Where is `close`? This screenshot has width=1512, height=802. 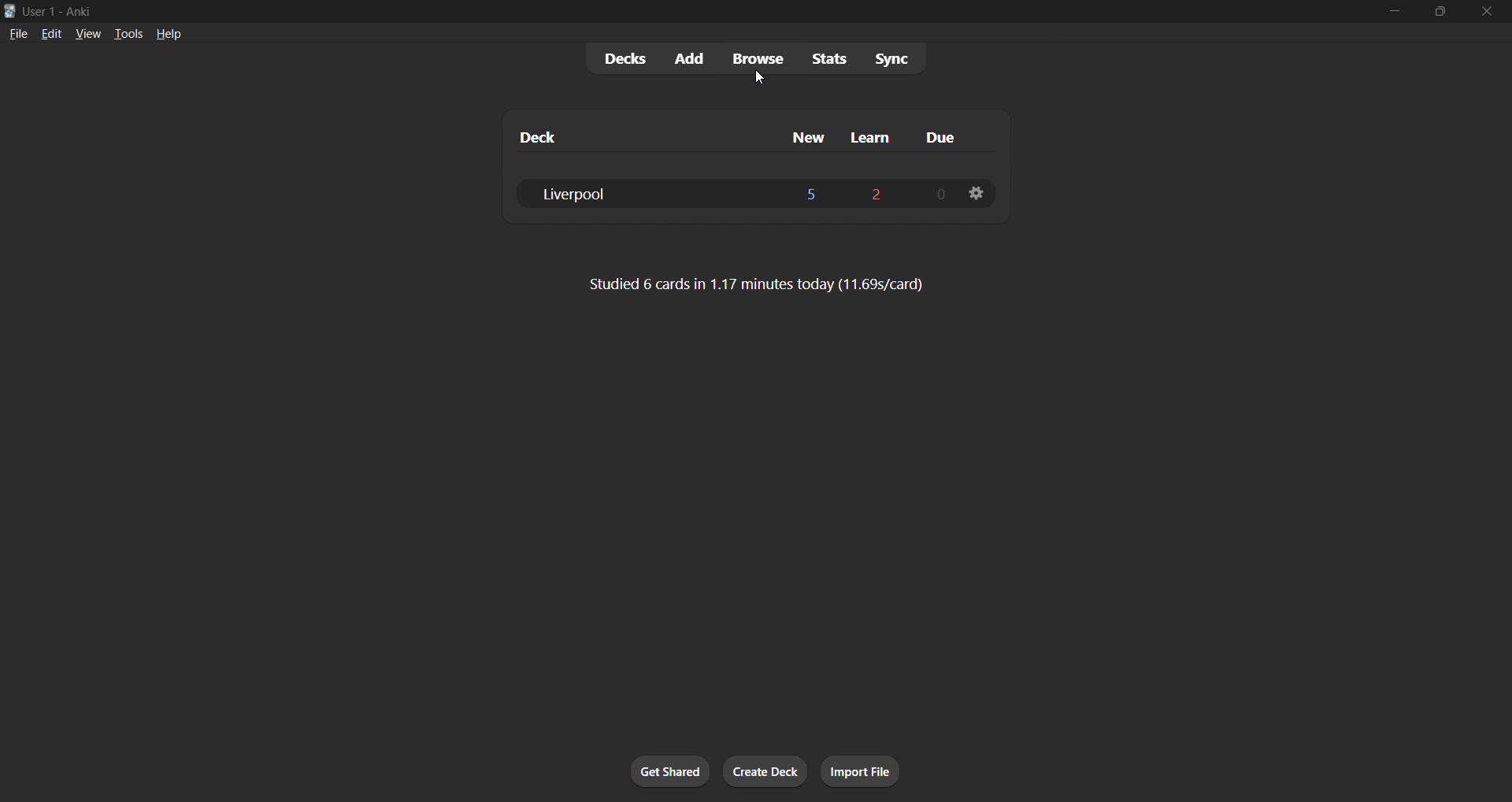 close is located at coordinates (1484, 12).